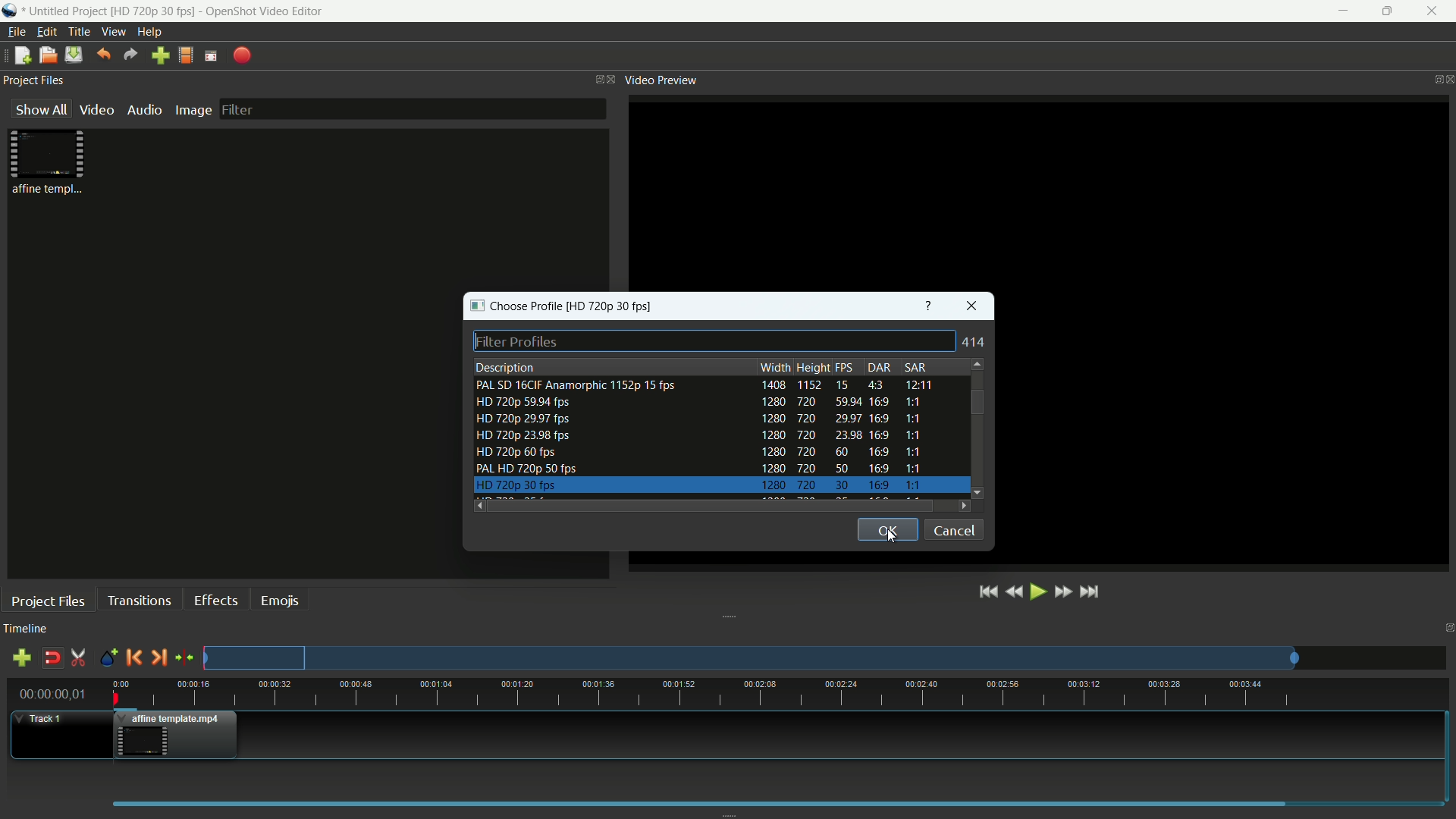  I want to click on maximize, so click(1389, 12).